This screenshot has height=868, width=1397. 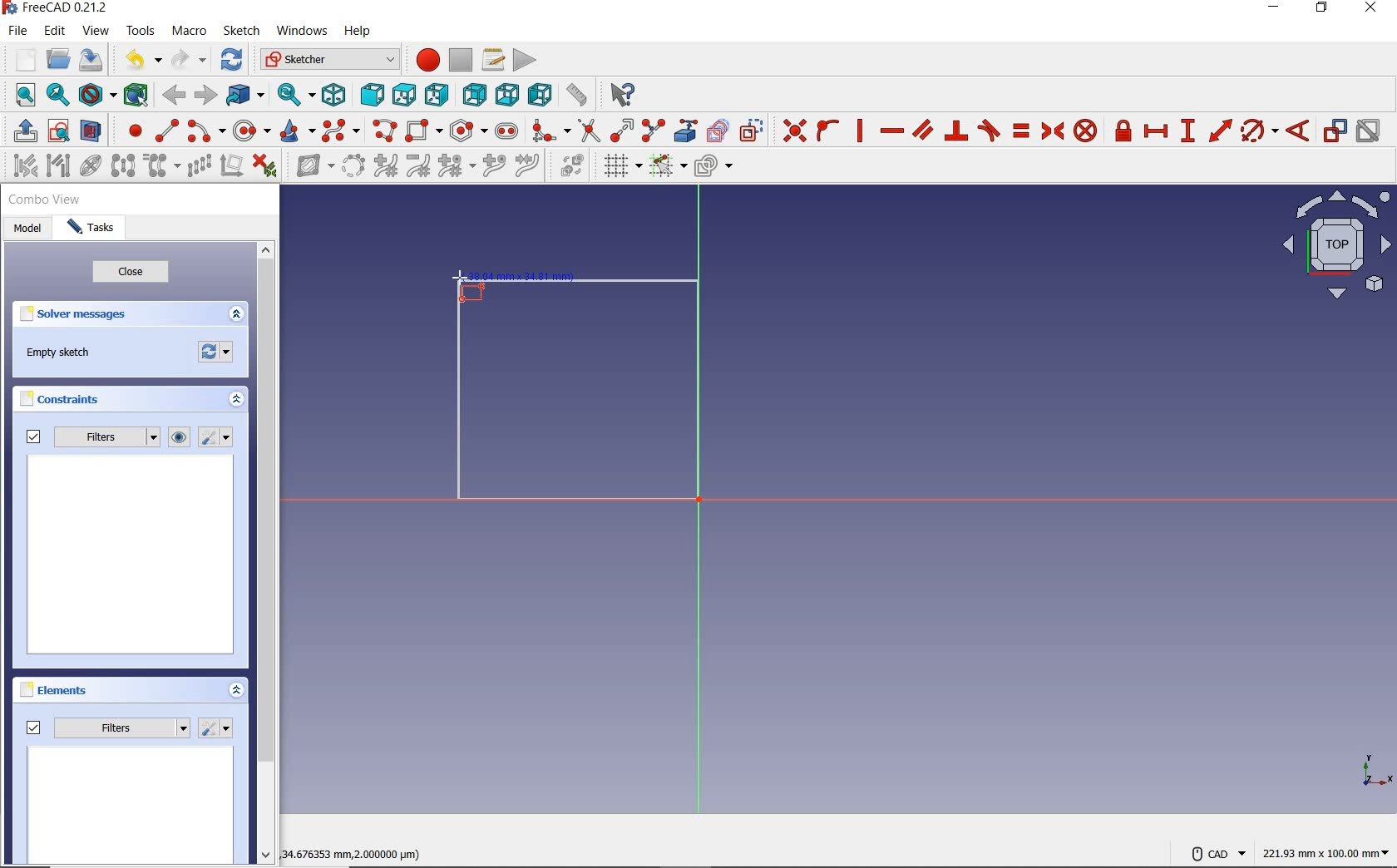 I want to click on rectangular array, so click(x=198, y=166).